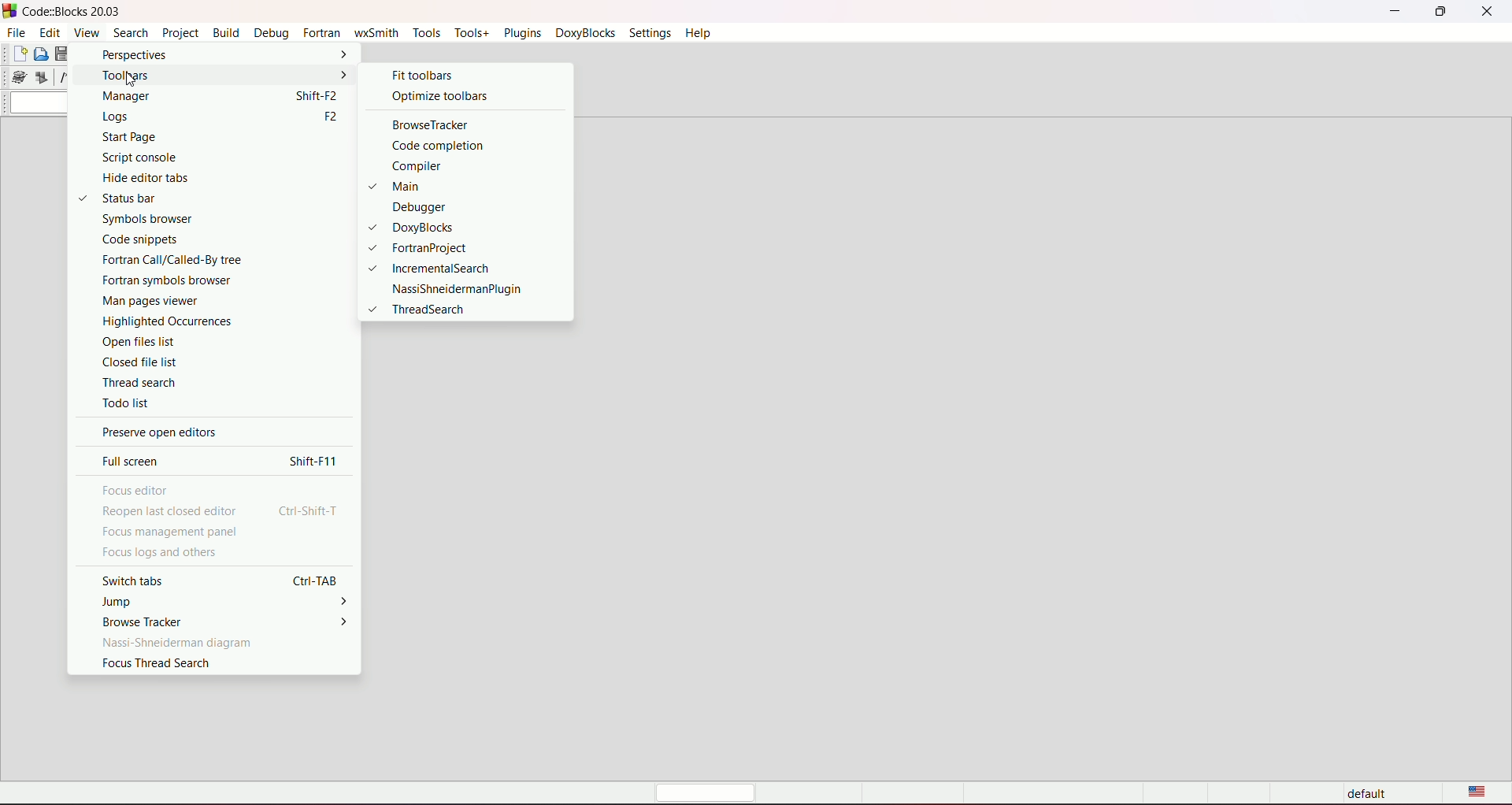  What do you see at coordinates (435, 247) in the screenshot?
I see `fortran project` at bounding box center [435, 247].